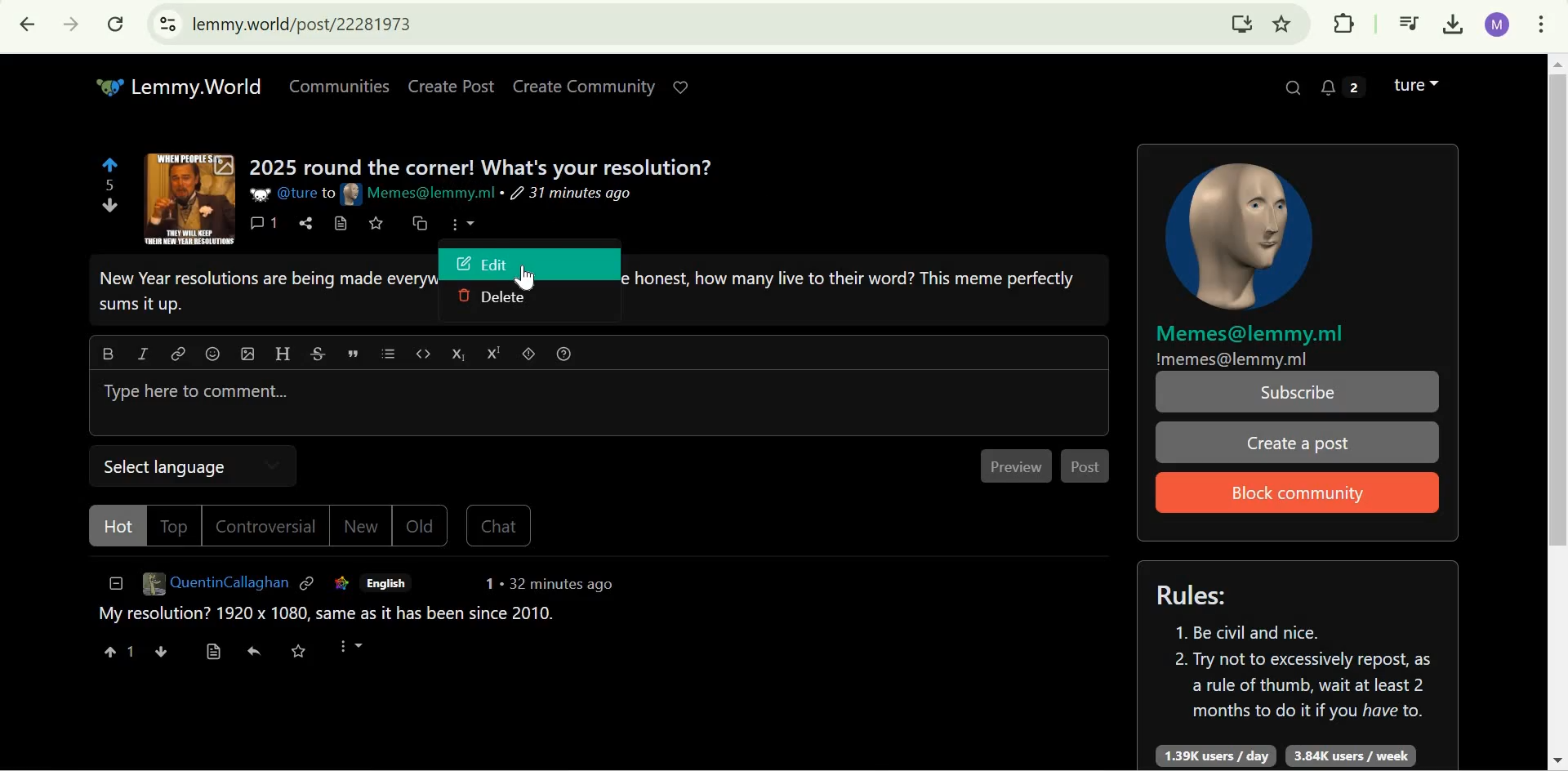  What do you see at coordinates (1410, 25) in the screenshot?
I see `Control your music, videos, and more` at bounding box center [1410, 25].